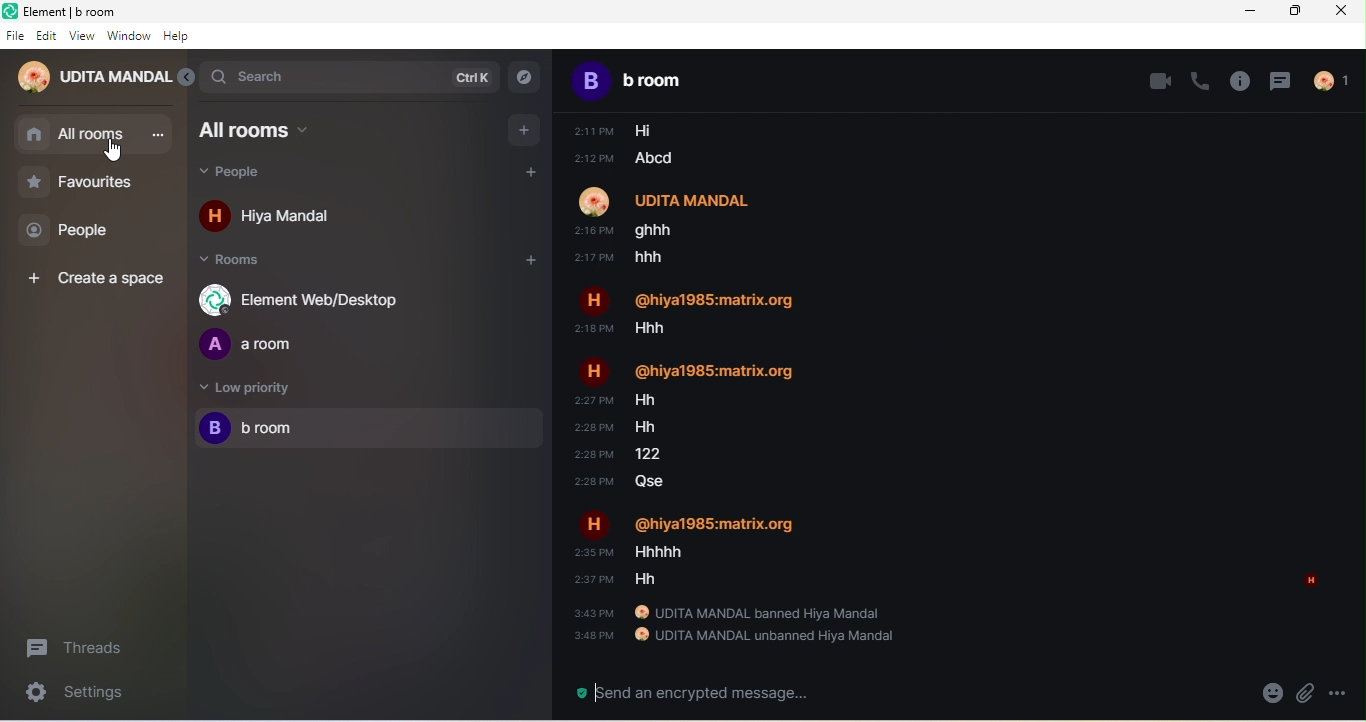 This screenshot has width=1366, height=722. I want to click on settings, so click(66, 694).